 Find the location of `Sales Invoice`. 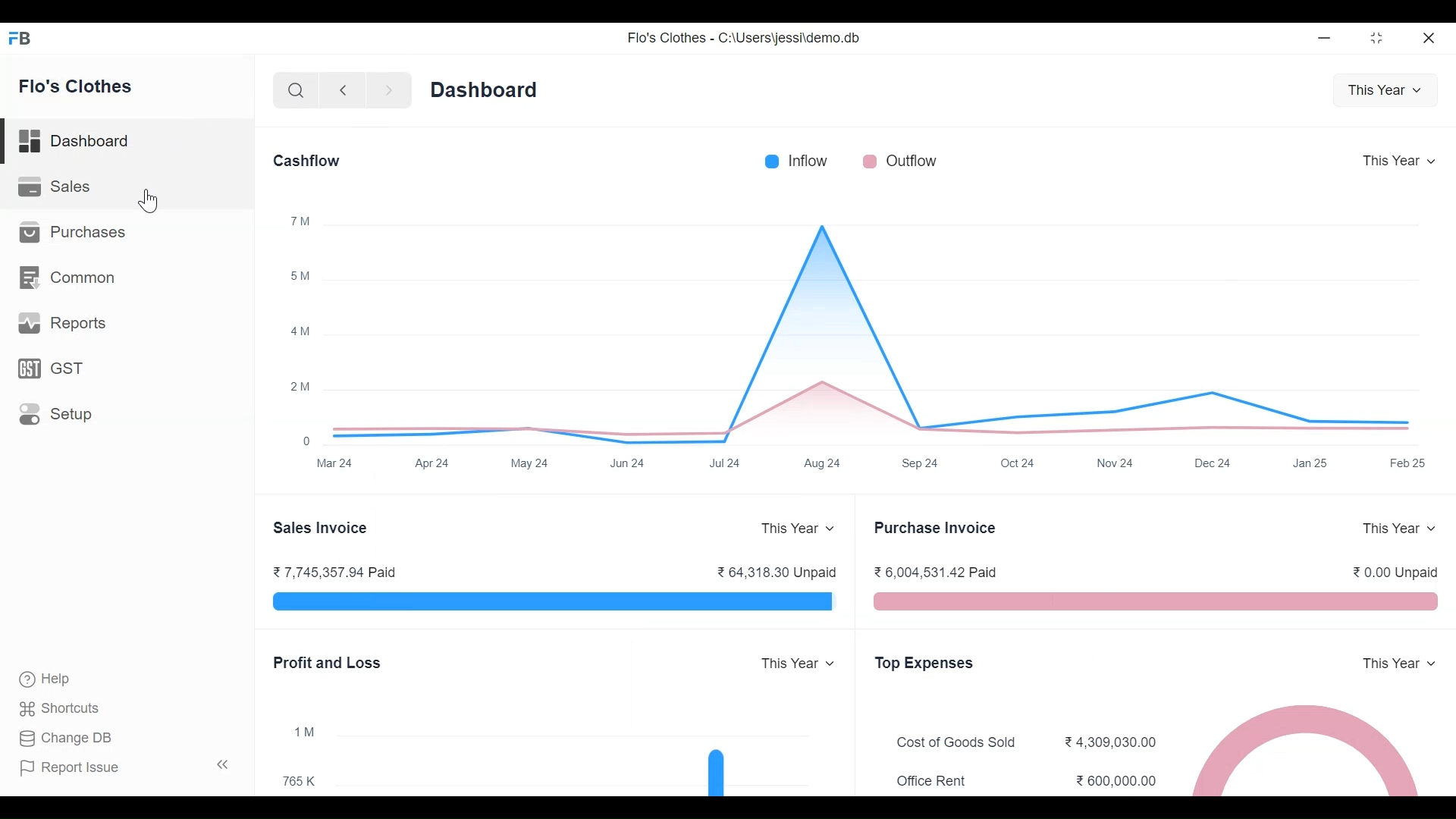

Sales Invoice is located at coordinates (323, 528).